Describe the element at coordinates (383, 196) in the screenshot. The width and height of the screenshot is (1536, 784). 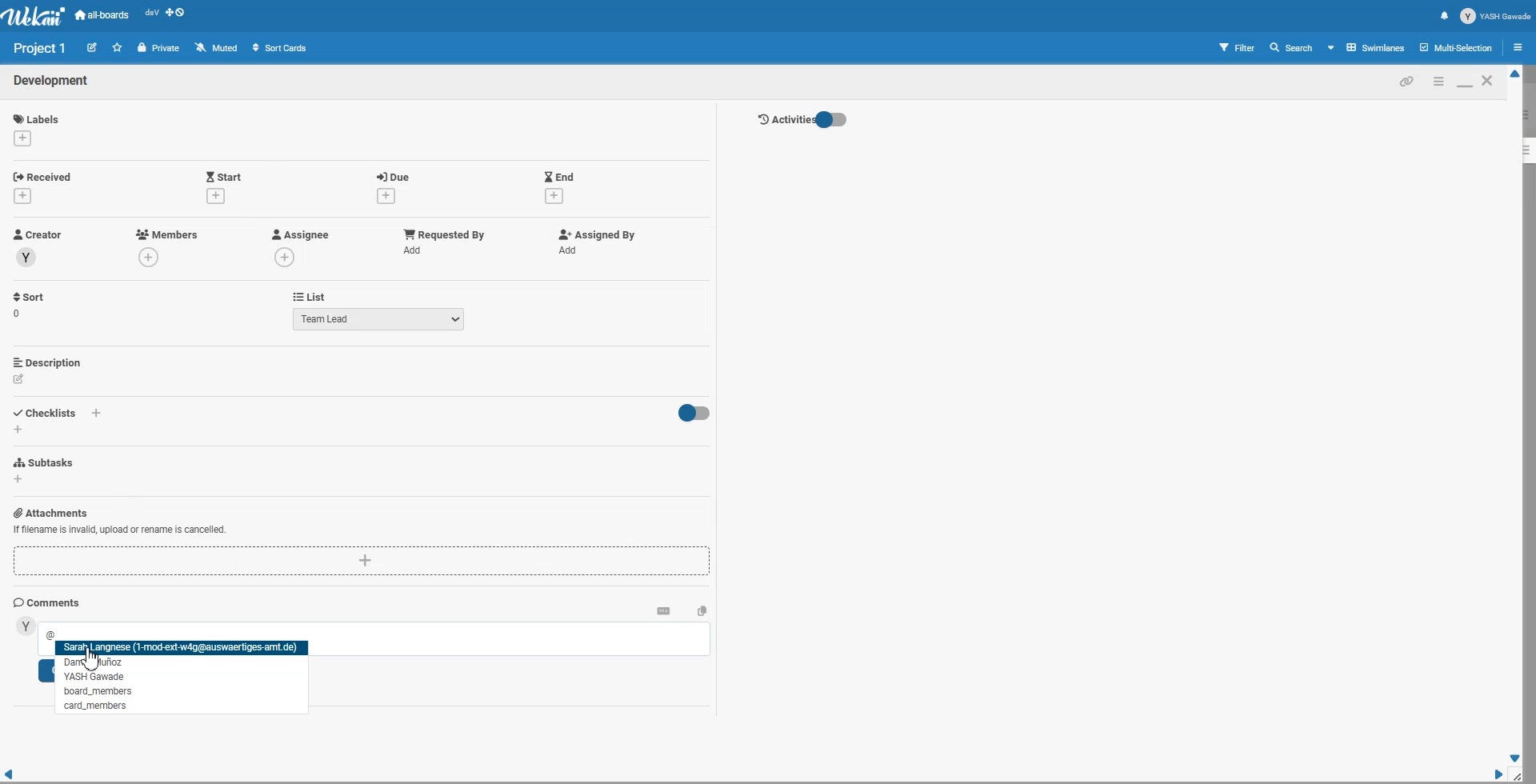
I see `add` at that location.